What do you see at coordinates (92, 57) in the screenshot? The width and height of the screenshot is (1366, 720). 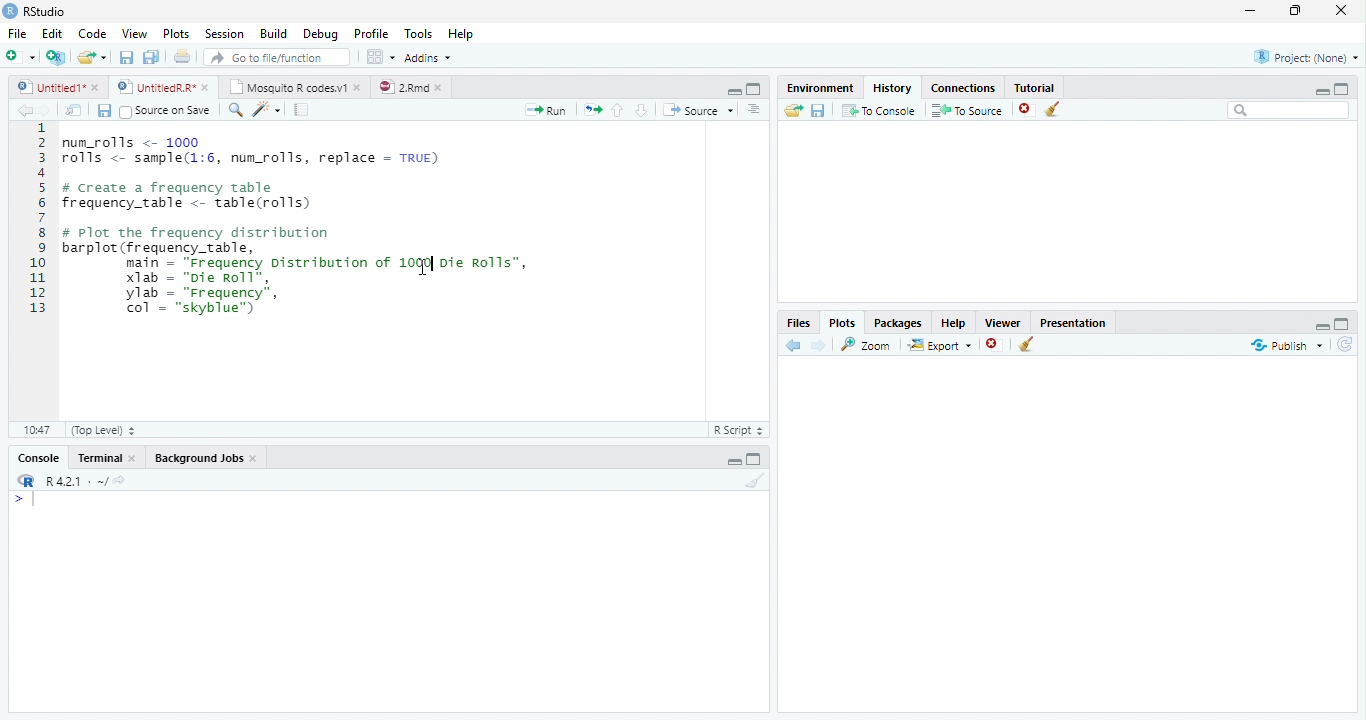 I see `Open an existing file` at bounding box center [92, 57].